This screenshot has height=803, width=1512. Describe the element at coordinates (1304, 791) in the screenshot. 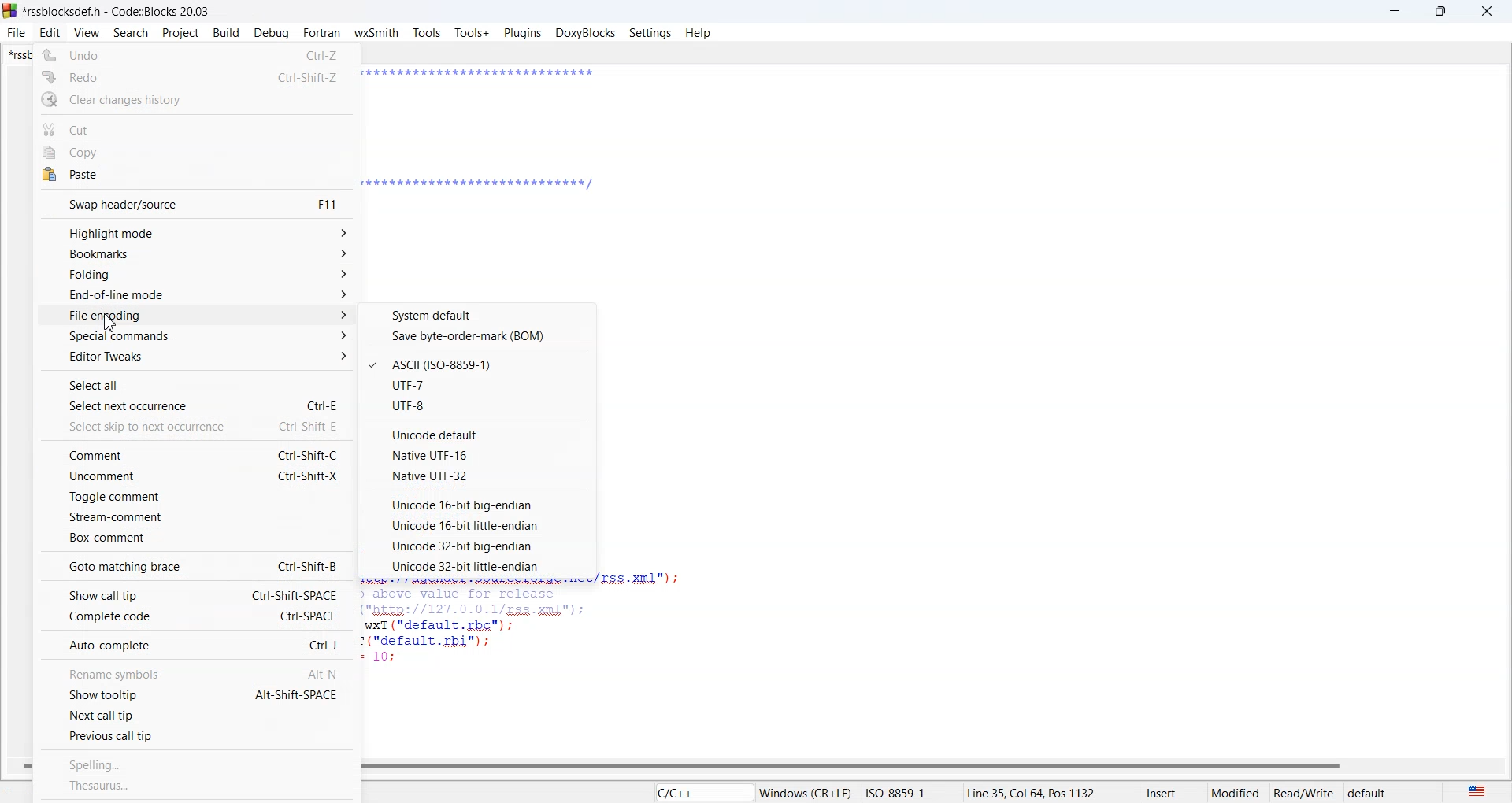

I see `Read/white` at that location.